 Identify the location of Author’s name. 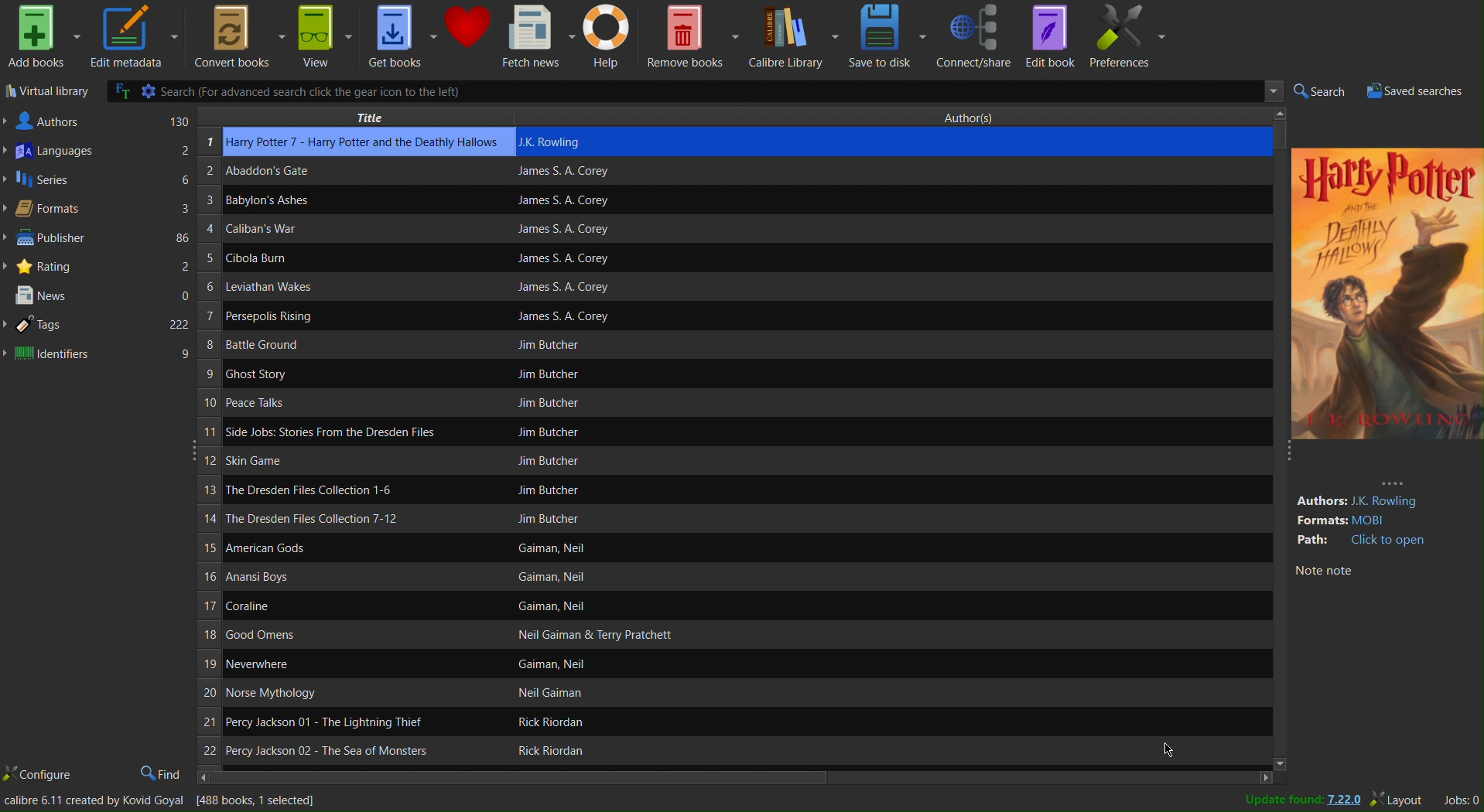
(762, 289).